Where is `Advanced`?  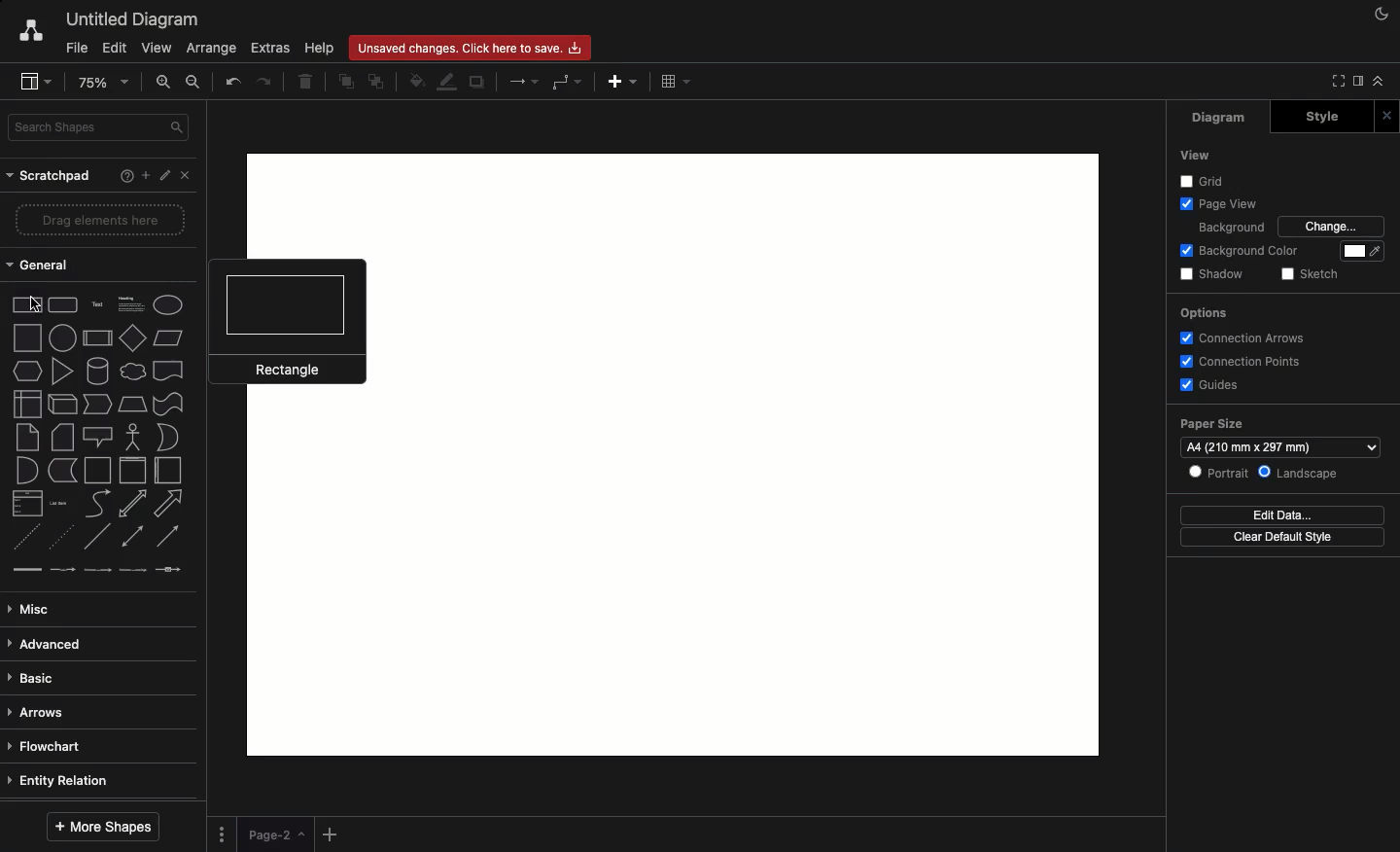
Advanced is located at coordinates (54, 644).